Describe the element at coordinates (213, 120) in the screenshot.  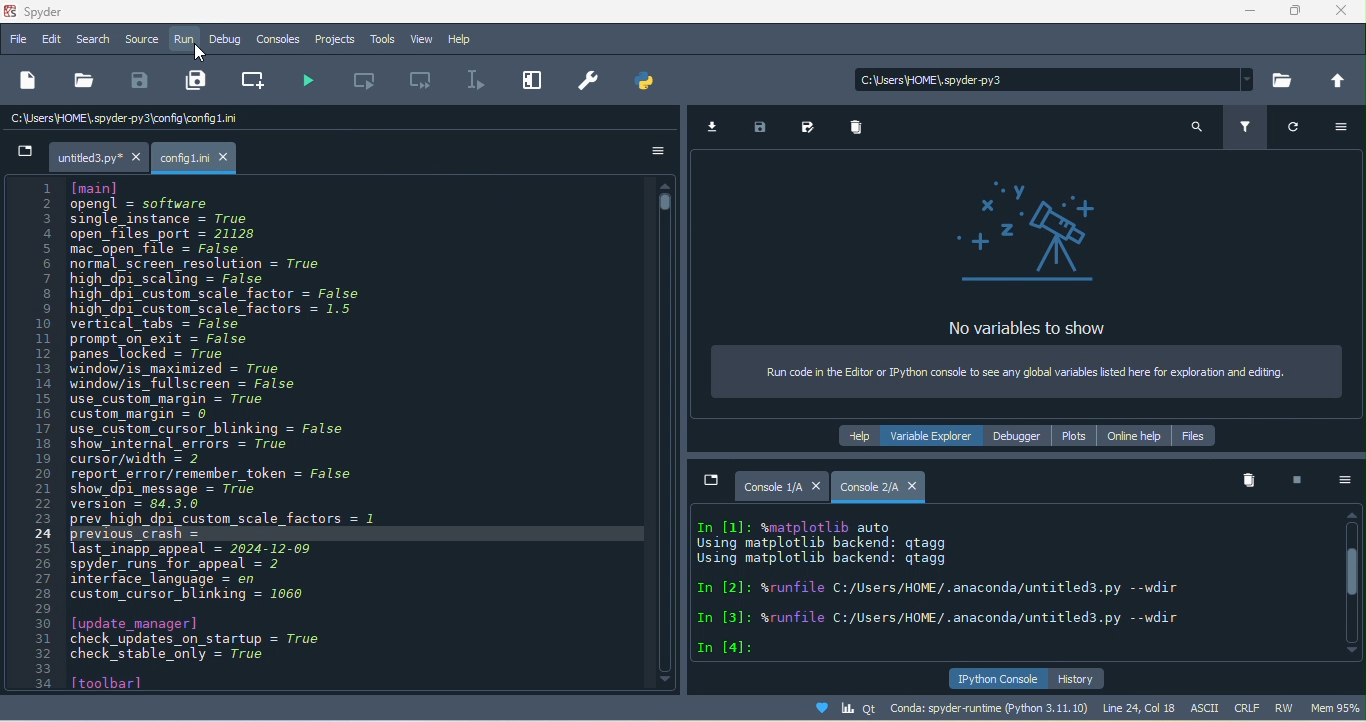
I see `c/users\home\spyder` at that location.